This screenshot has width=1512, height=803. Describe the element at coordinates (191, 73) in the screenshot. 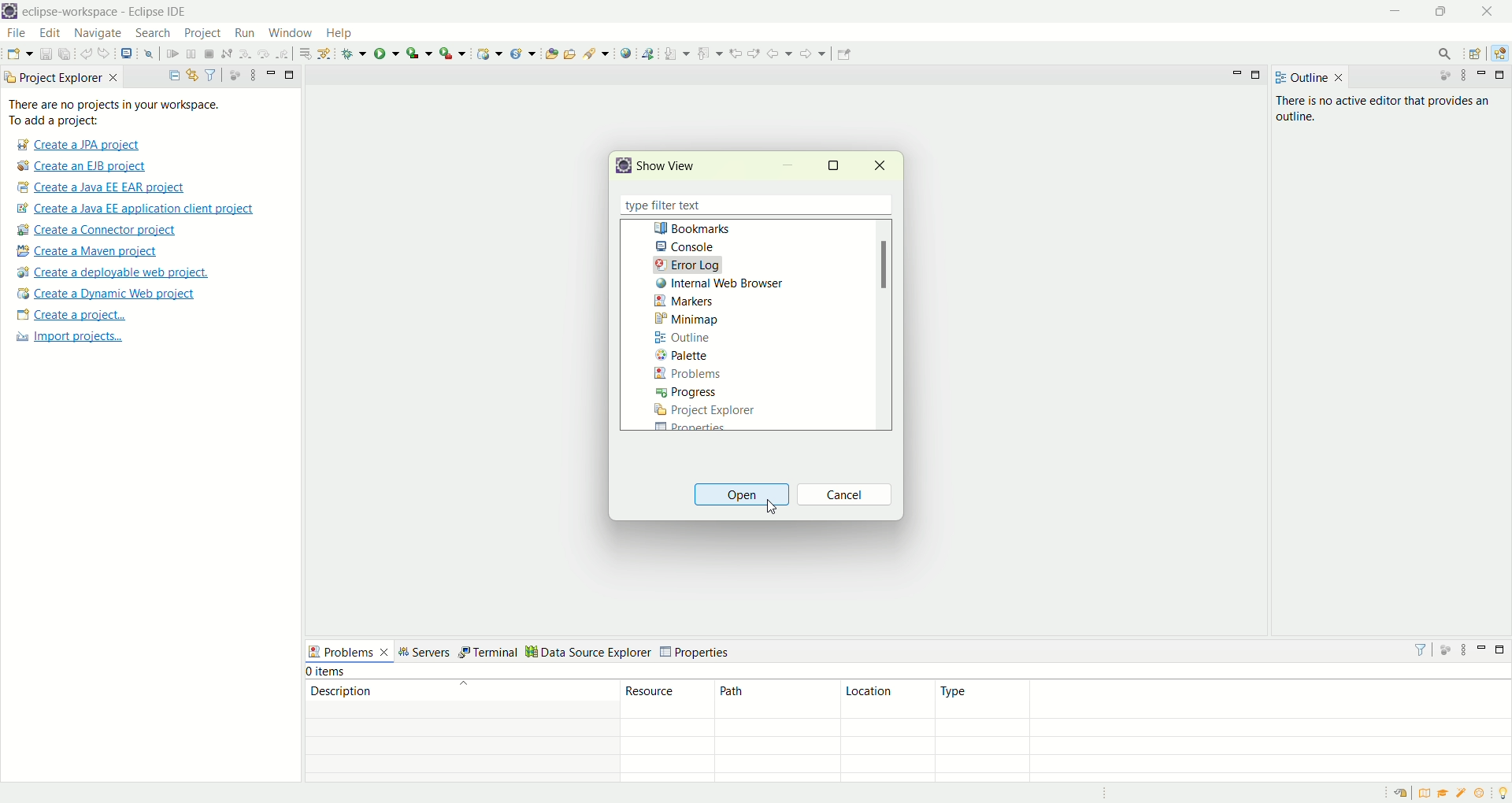

I see `link with editor` at that location.